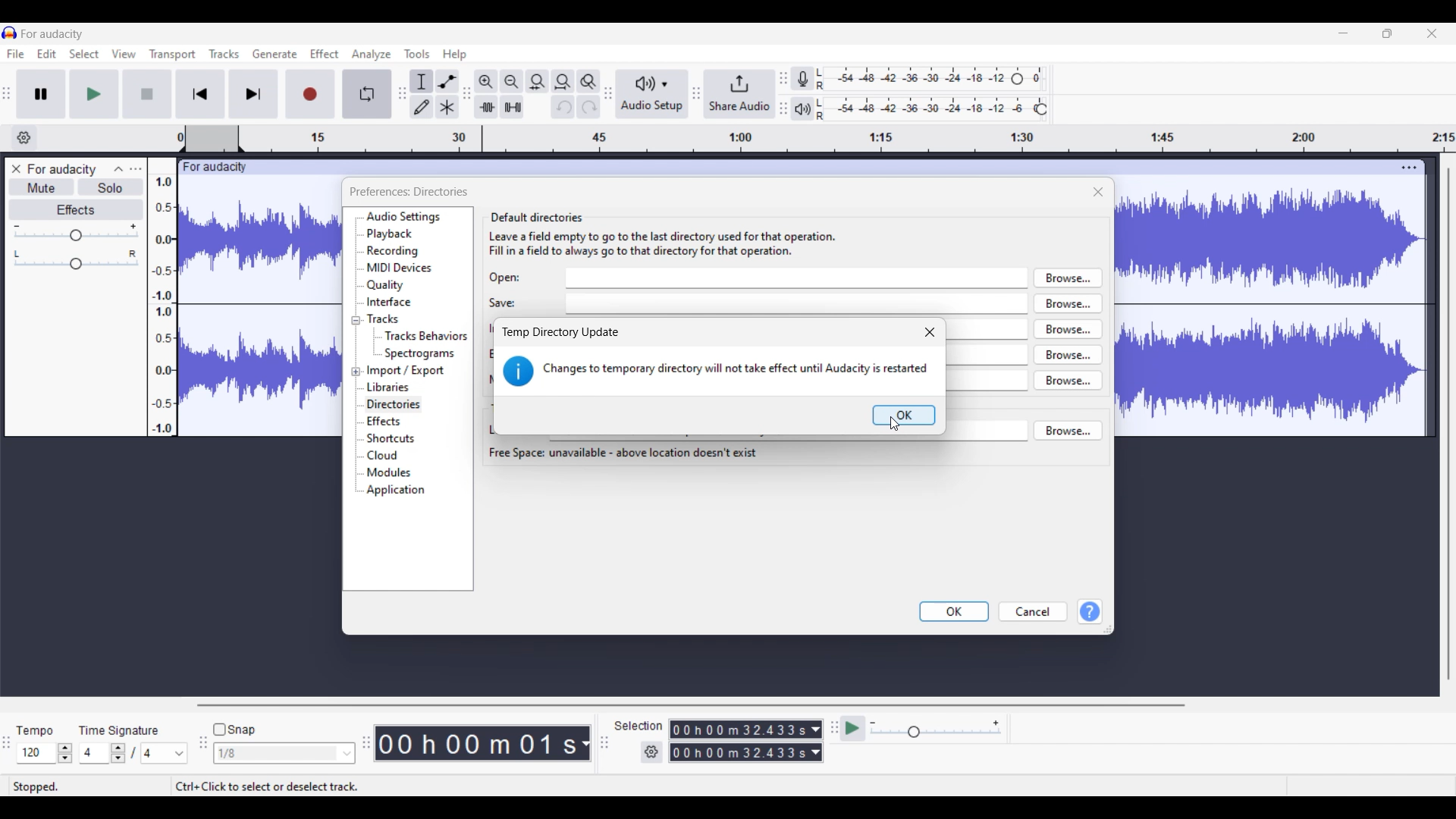  Describe the element at coordinates (94, 753) in the screenshot. I see `Input time signature` at that location.